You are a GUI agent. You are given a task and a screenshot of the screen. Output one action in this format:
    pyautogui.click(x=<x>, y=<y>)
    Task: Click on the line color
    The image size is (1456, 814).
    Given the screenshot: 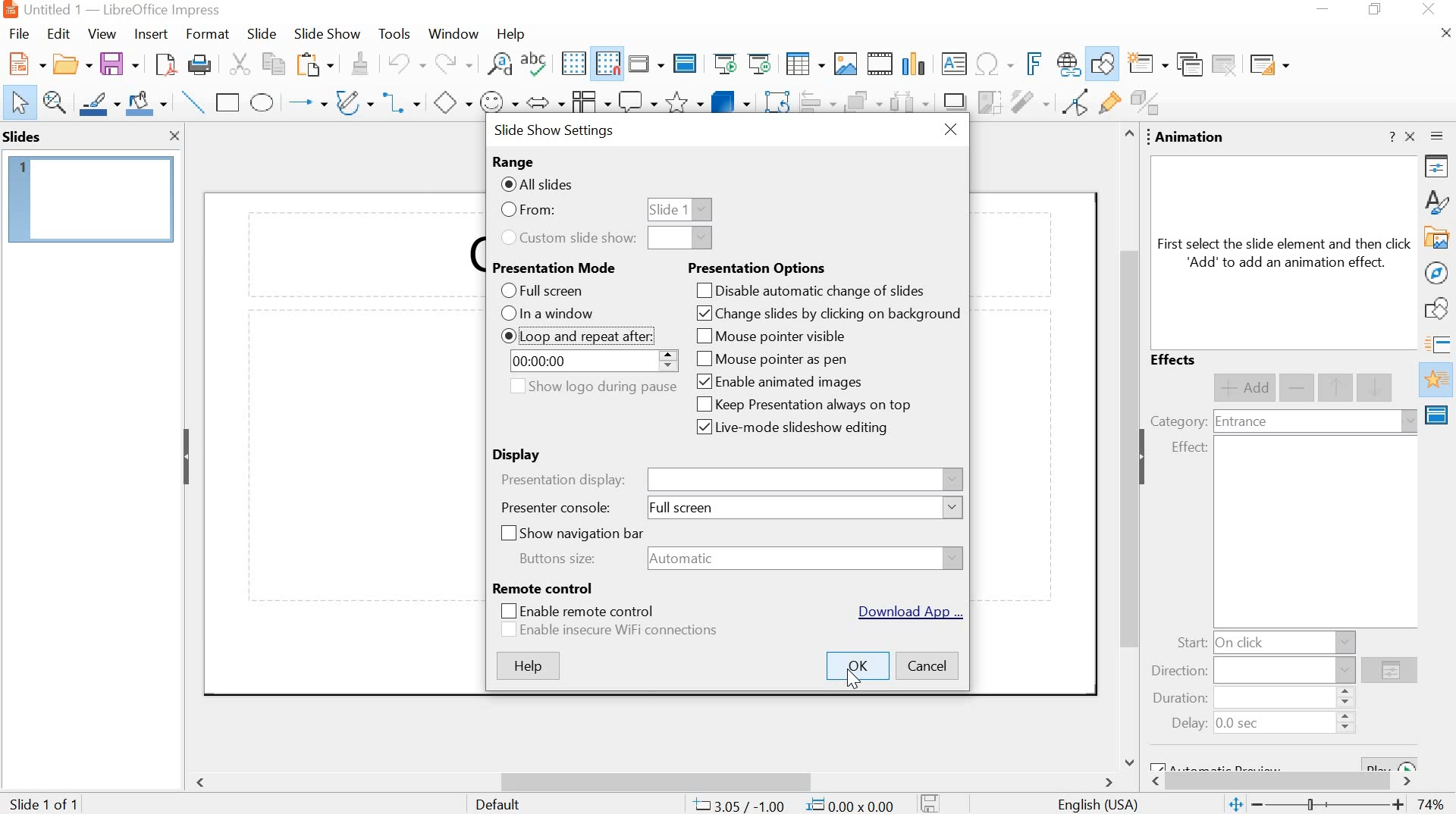 What is the action you would take?
    pyautogui.click(x=99, y=102)
    